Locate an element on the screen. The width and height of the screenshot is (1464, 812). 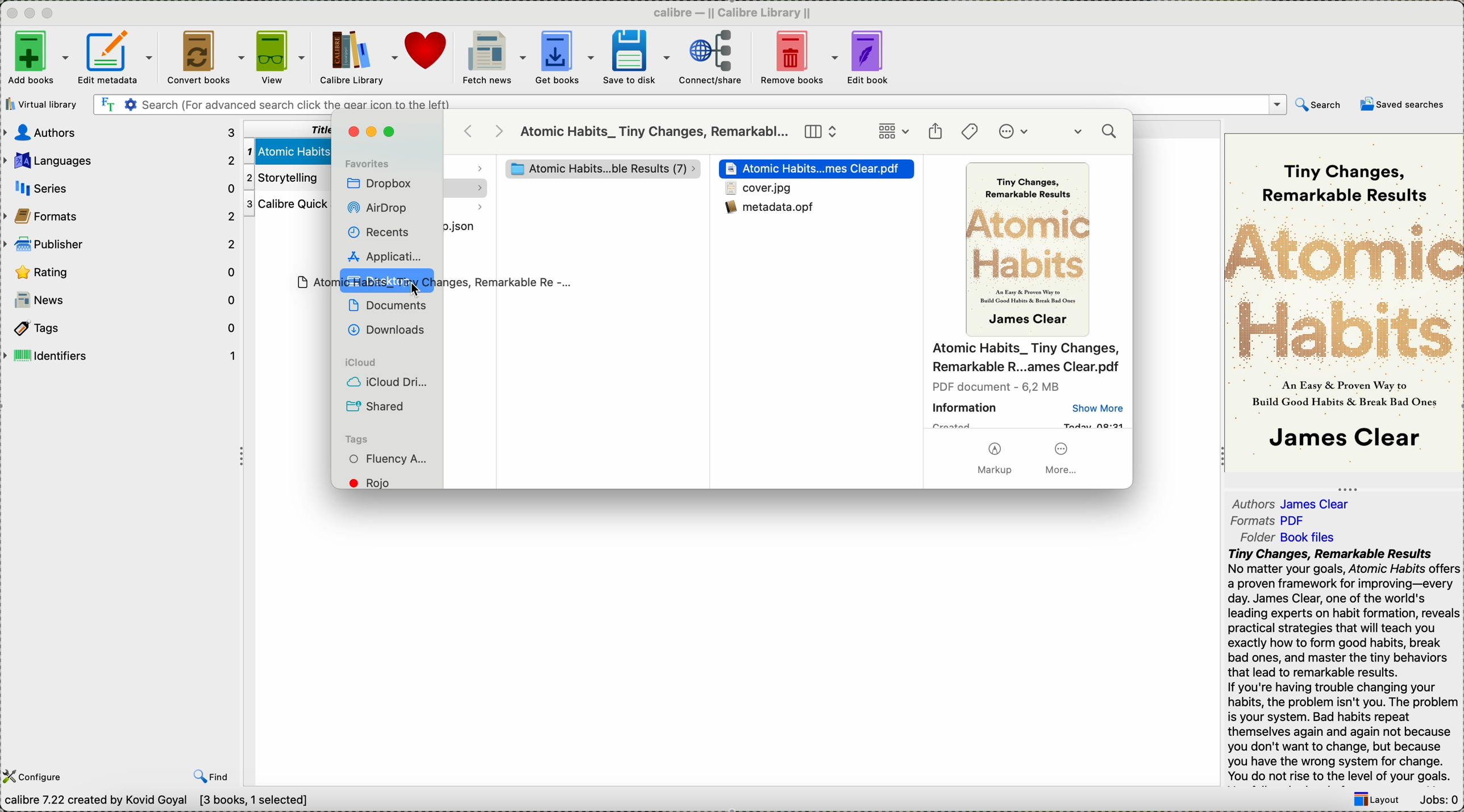
convert books is located at coordinates (203, 59).